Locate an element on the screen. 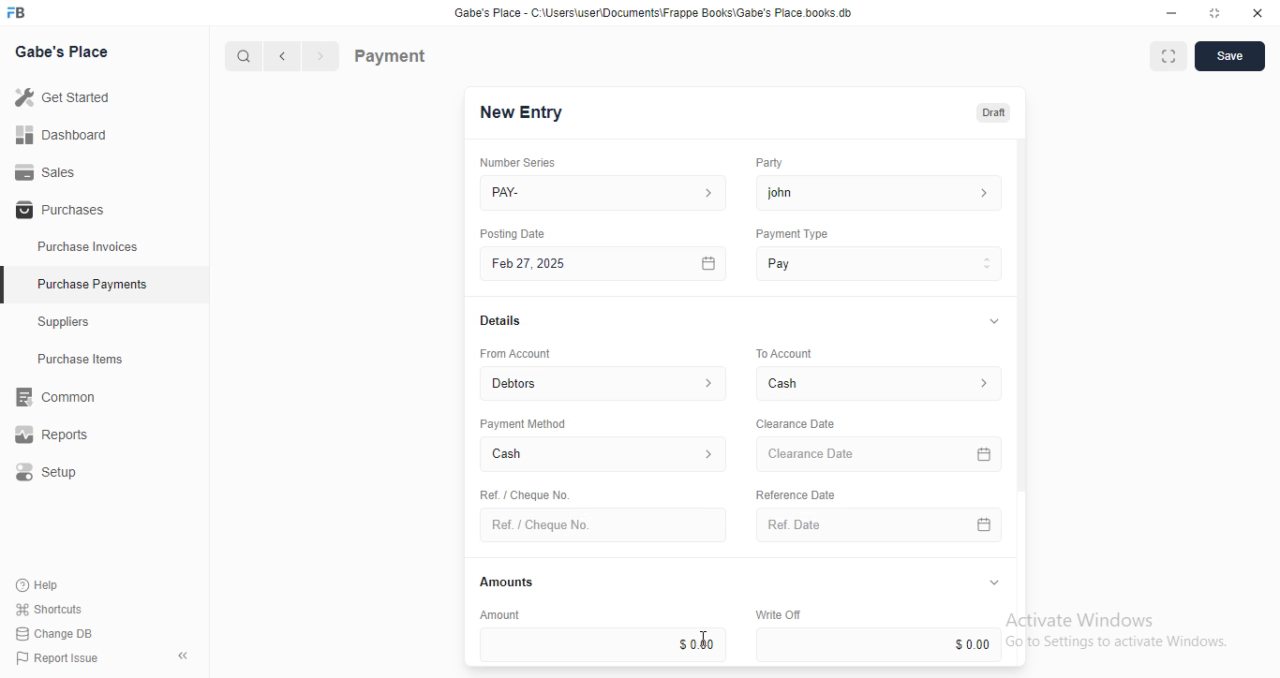  collapse sidebar is located at coordinates (182, 655).